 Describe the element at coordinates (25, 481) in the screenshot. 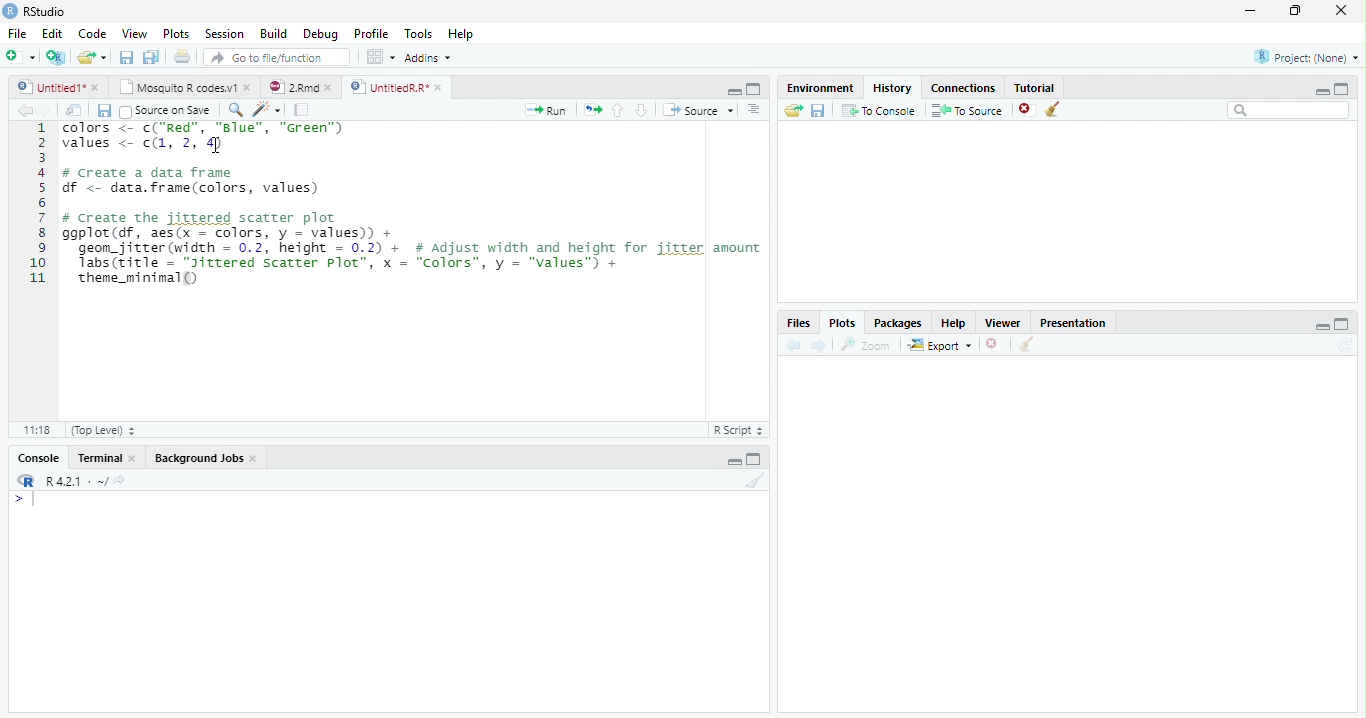

I see `R` at that location.